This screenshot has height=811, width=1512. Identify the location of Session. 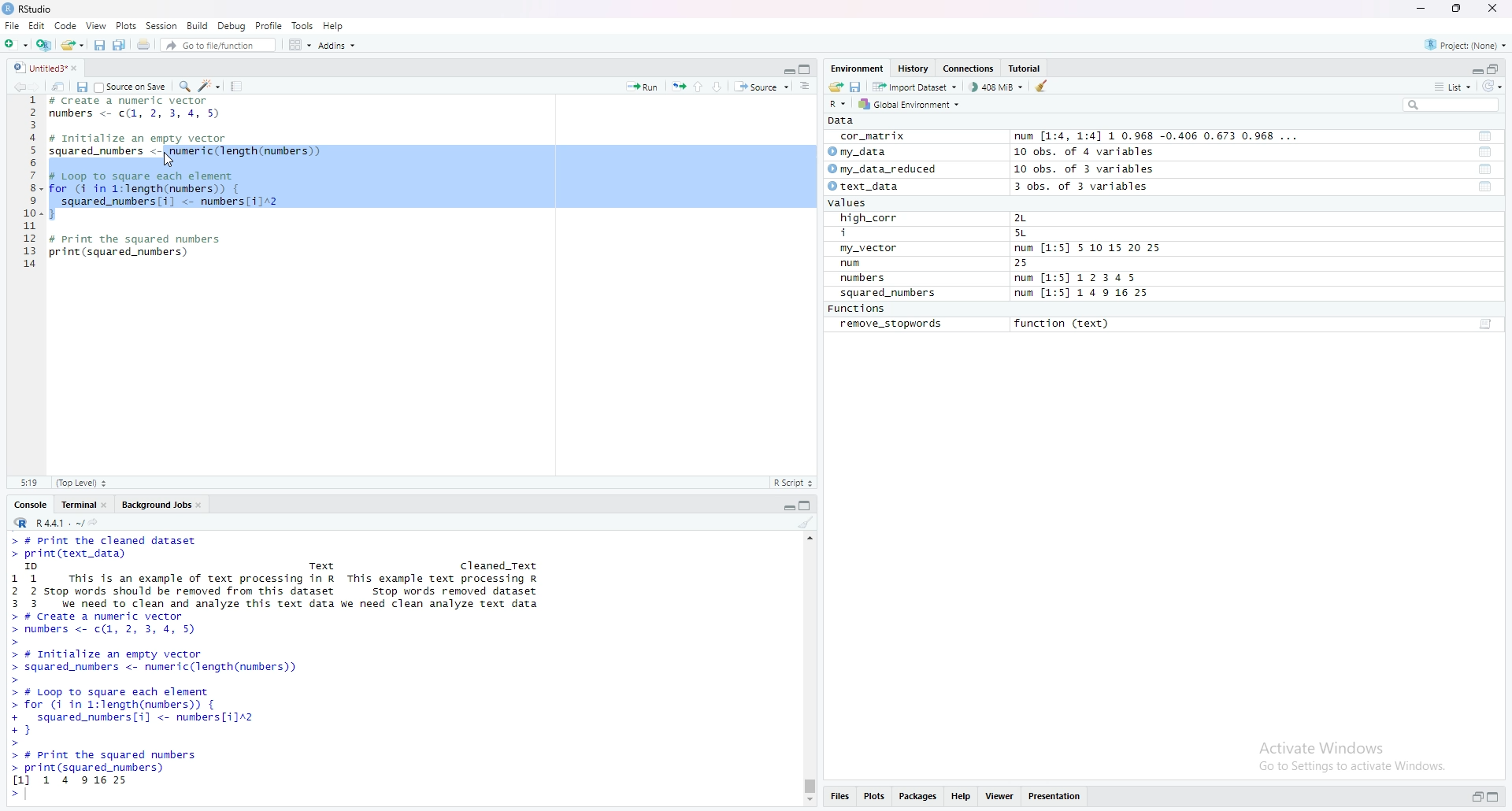
(161, 25).